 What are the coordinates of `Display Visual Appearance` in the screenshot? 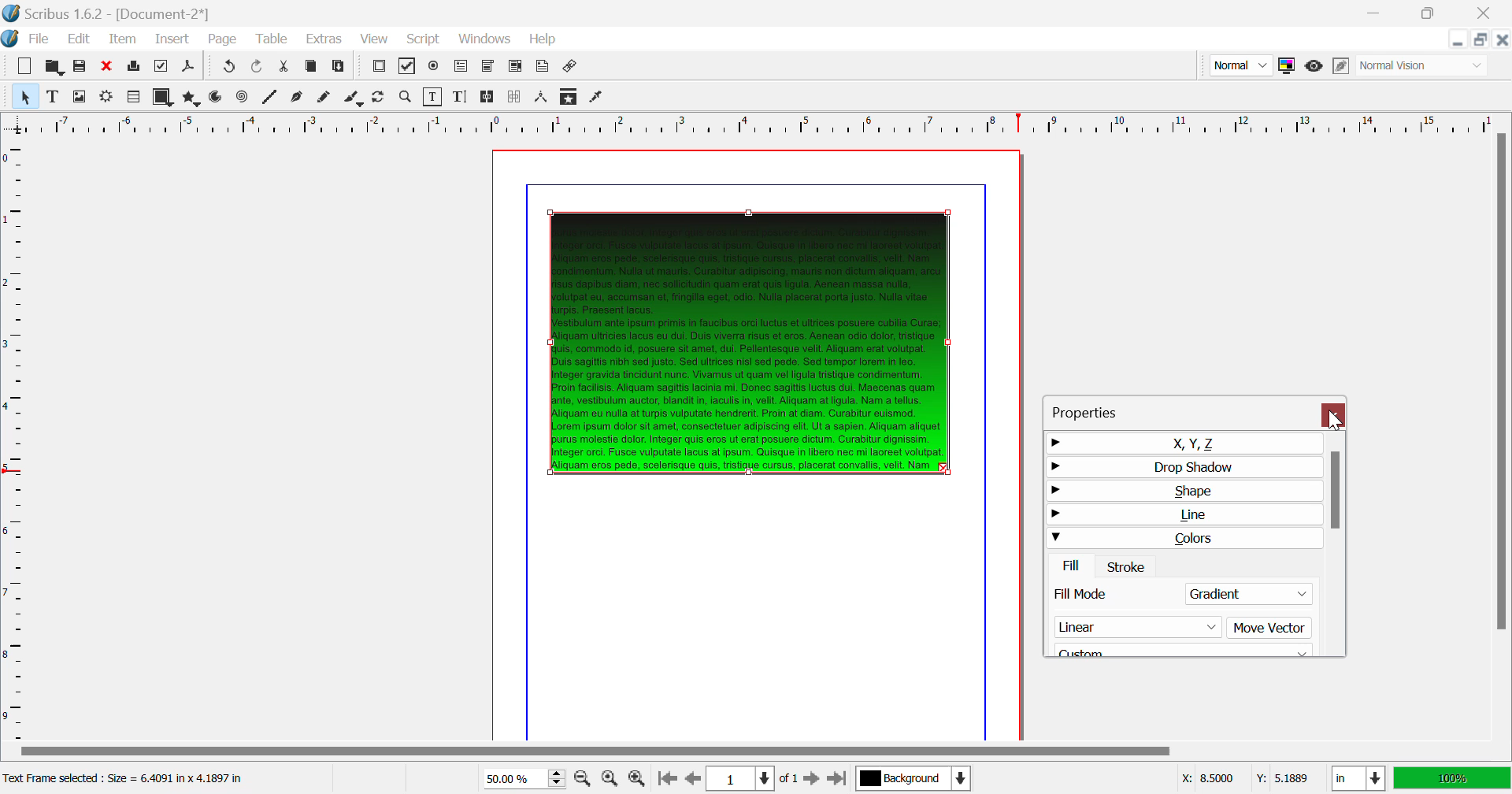 It's located at (1424, 65).